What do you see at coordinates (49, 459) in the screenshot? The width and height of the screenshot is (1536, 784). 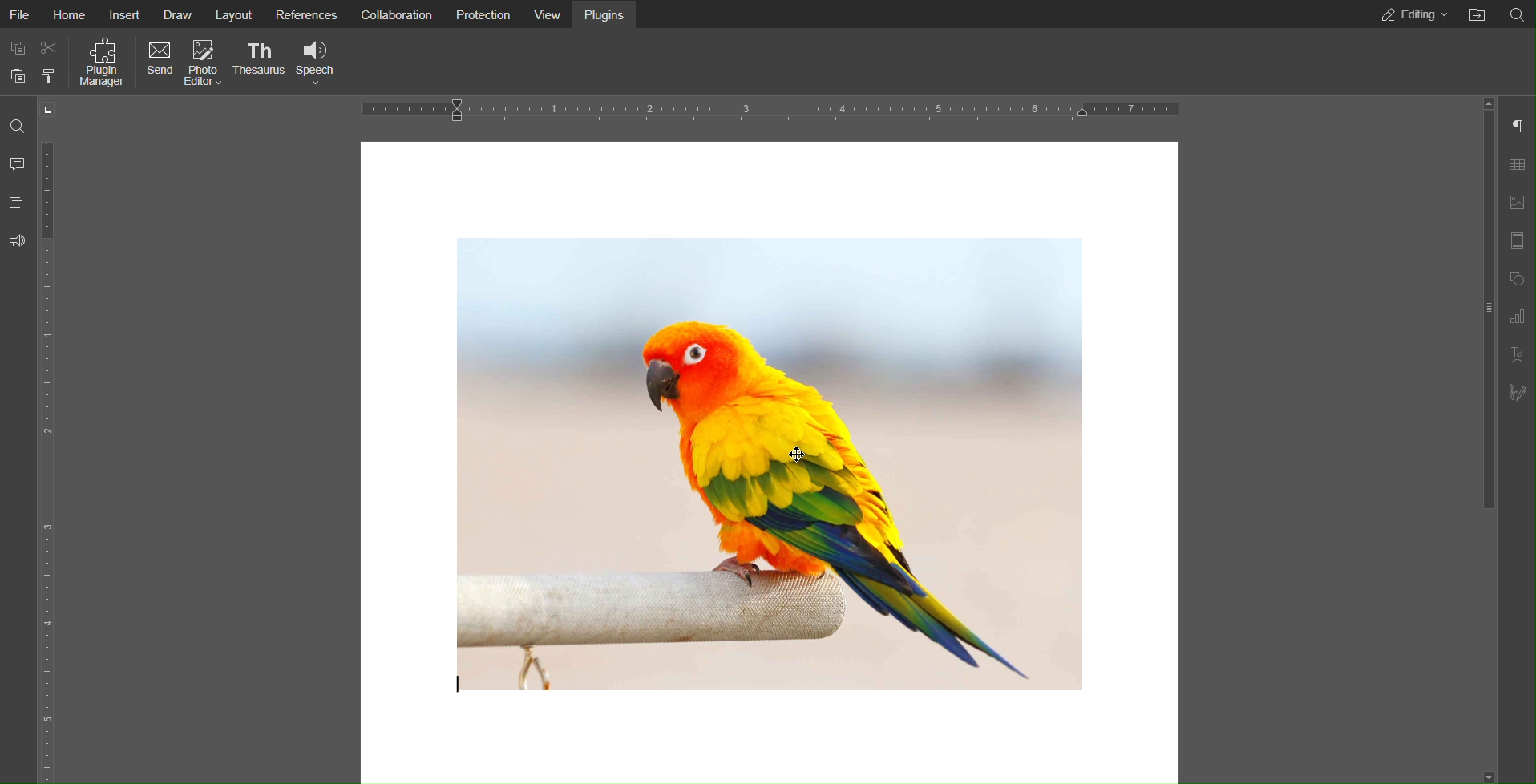 I see `Vertical Ruler` at bounding box center [49, 459].